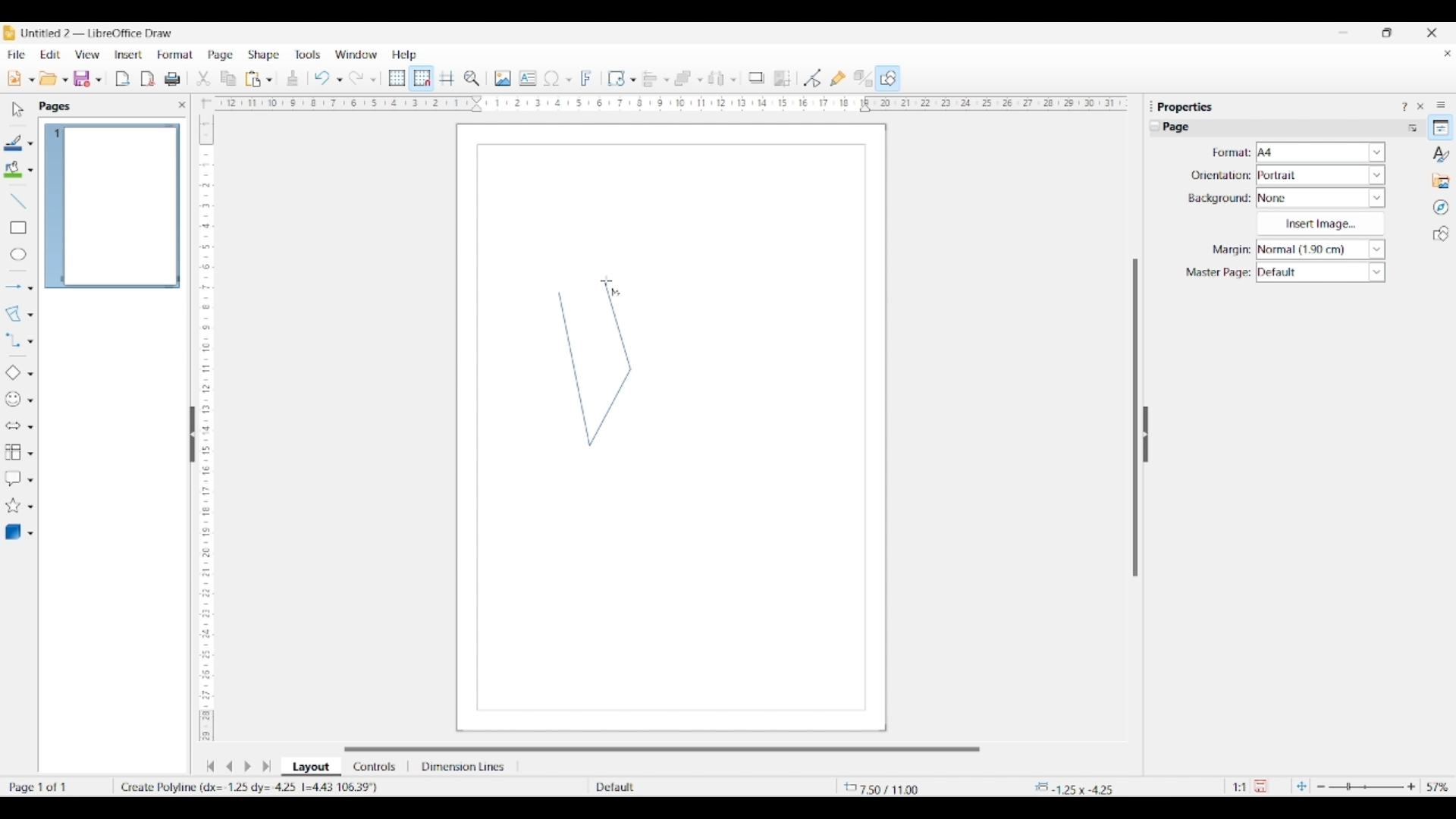 Image resolution: width=1456 pixels, height=819 pixels. Describe the element at coordinates (172, 79) in the screenshot. I see `Print` at that location.